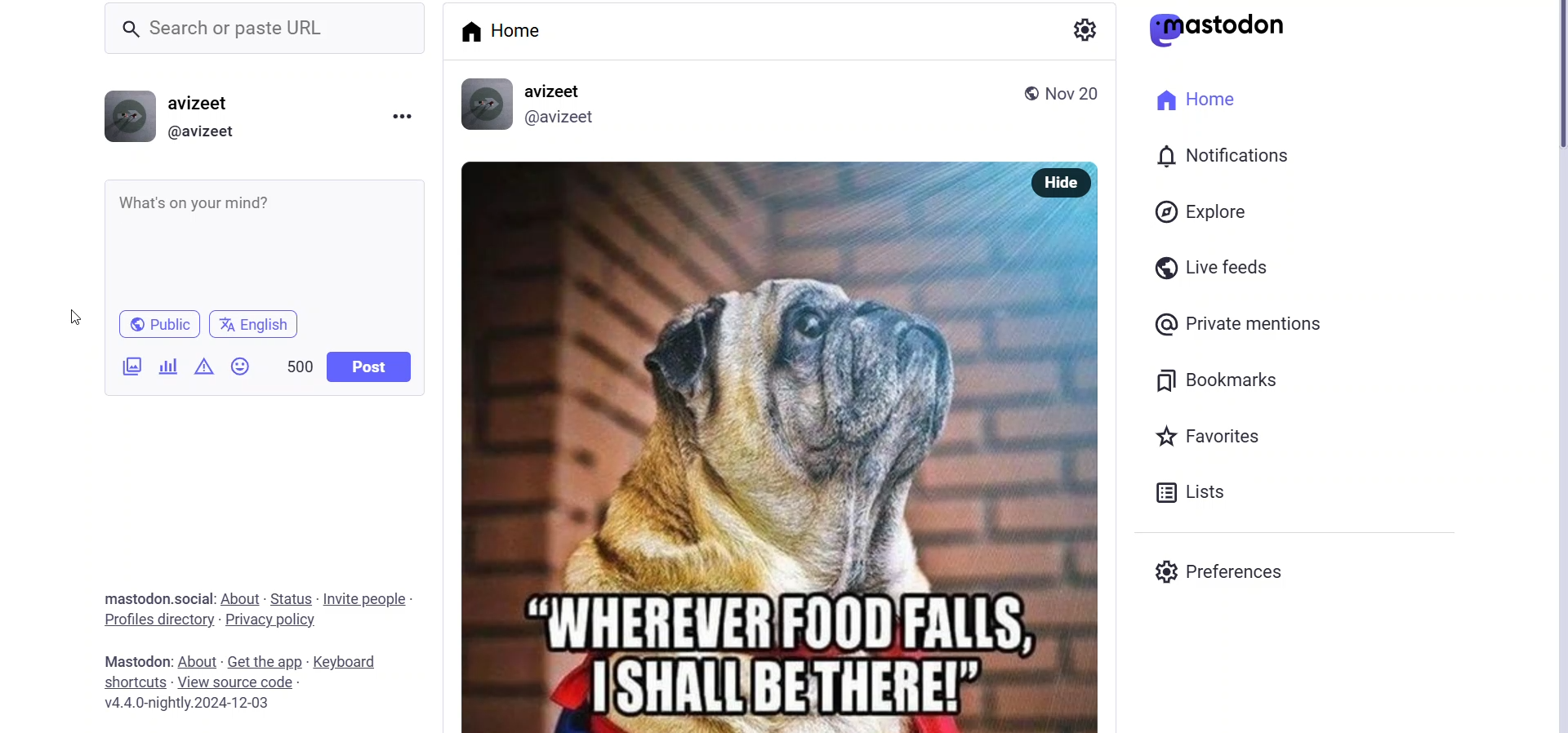 The image size is (1568, 733). What do you see at coordinates (1212, 434) in the screenshot?
I see `favorites` at bounding box center [1212, 434].